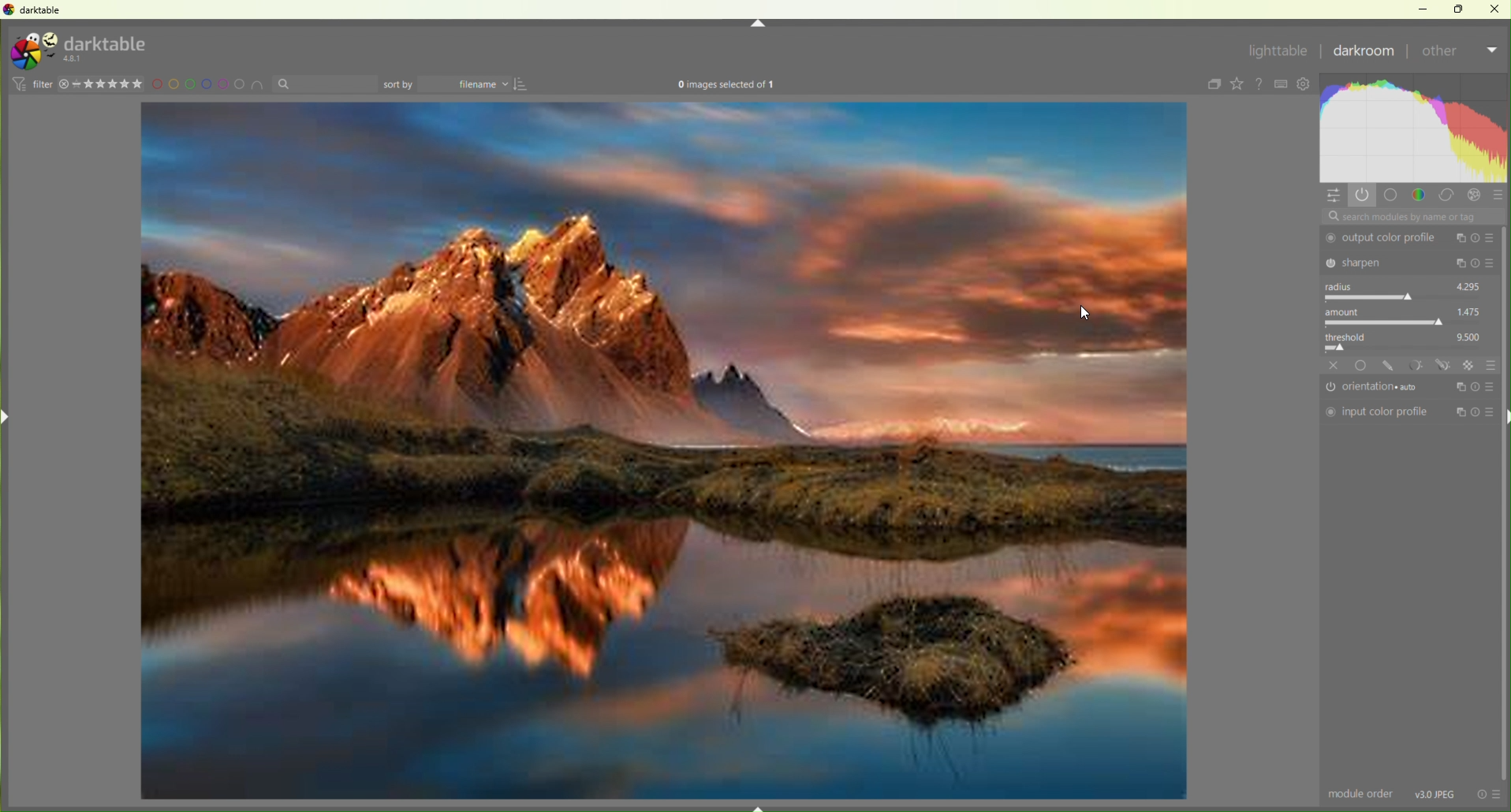 The height and width of the screenshot is (812, 1511). I want to click on Details , so click(1436, 793).